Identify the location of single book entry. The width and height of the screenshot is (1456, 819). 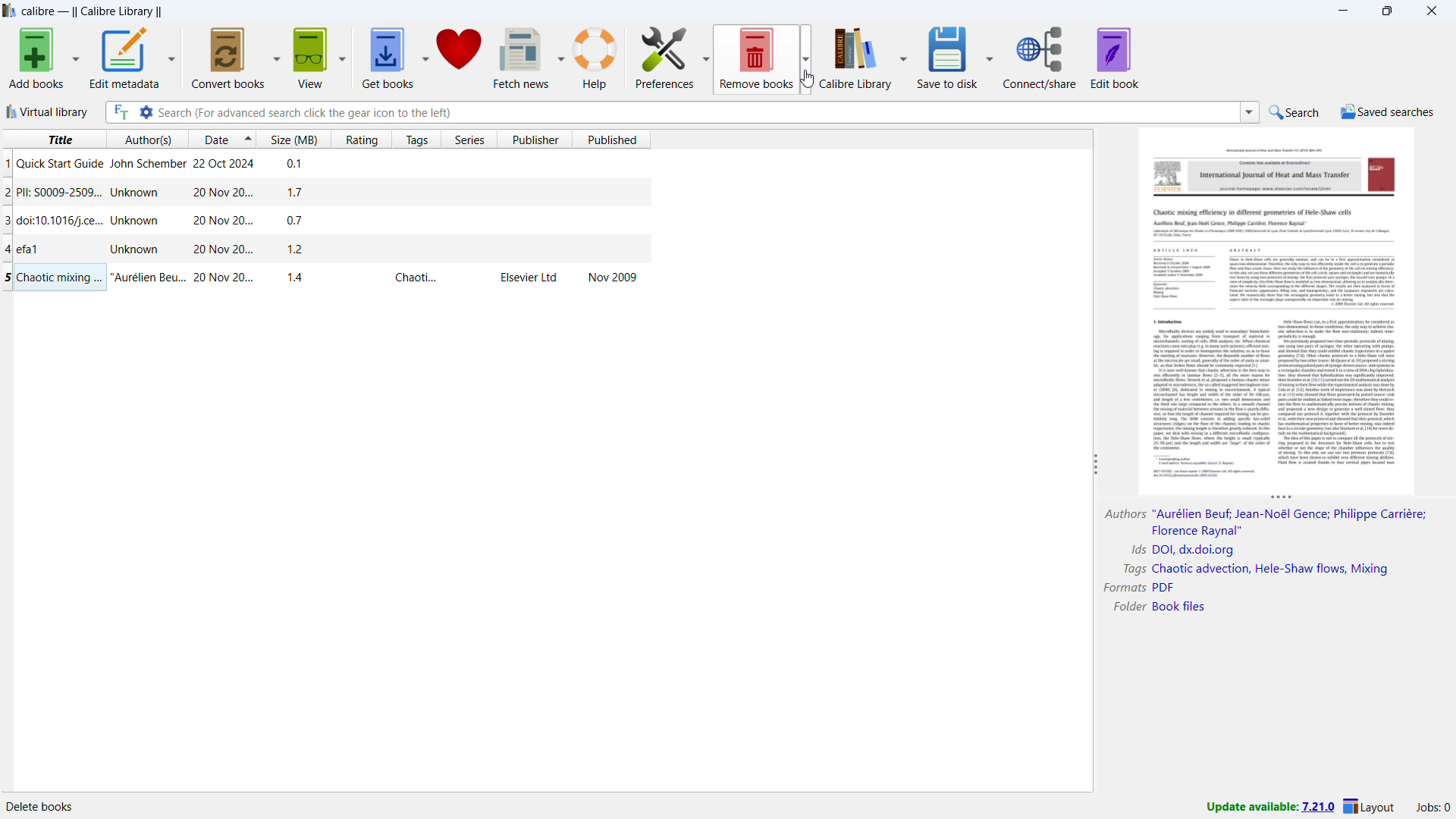
(327, 278).